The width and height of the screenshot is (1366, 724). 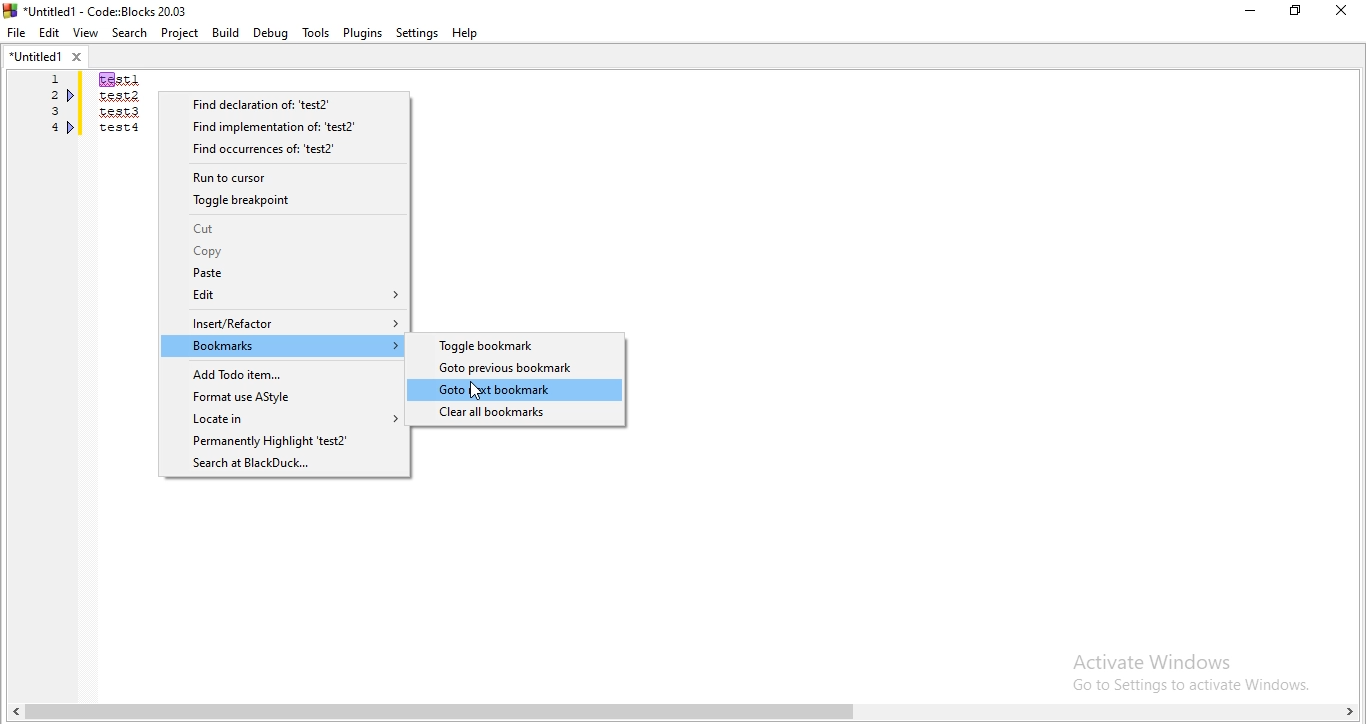 What do you see at coordinates (282, 296) in the screenshot?
I see `Edit` at bounding box center [282, 296].